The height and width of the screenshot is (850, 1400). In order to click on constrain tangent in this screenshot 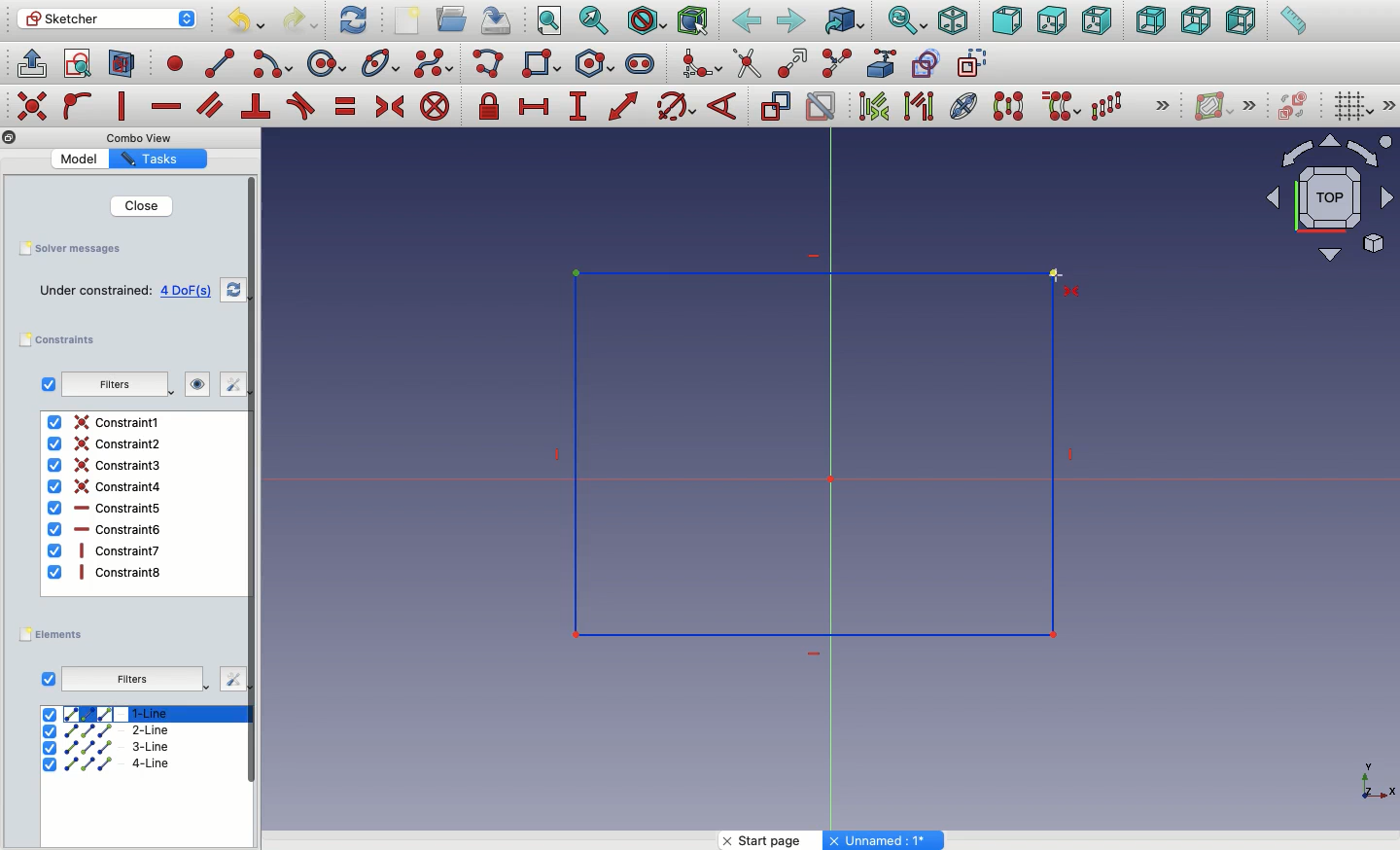, I will do `click(301, 106)`.